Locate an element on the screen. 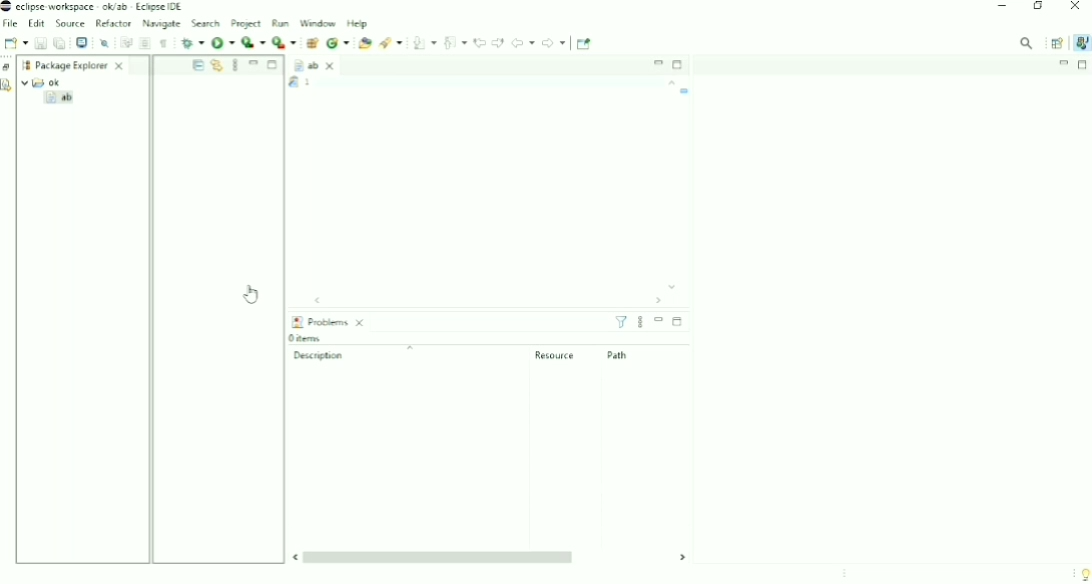  Tip of the day is located at coordinates (1080, 572).